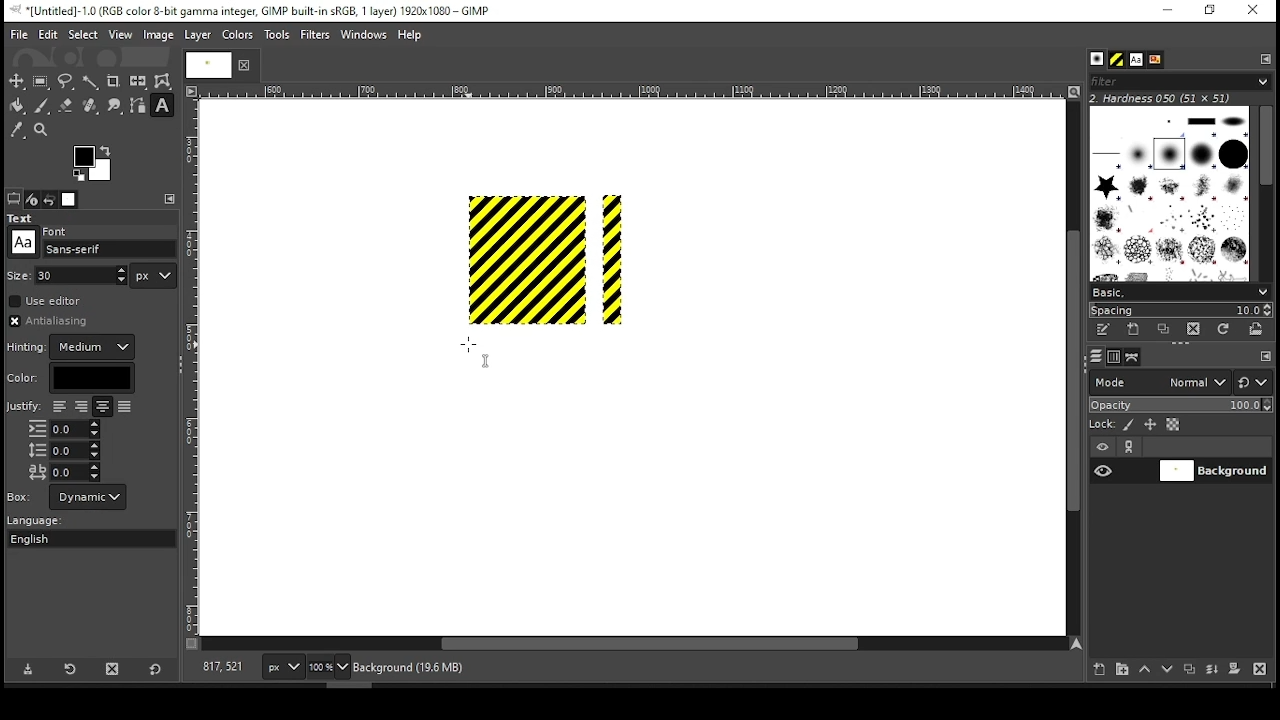 This screenshot has width=1280, height=720. Describe the element at coordinates (19, 274) in the screenshot. I see `` at that location.